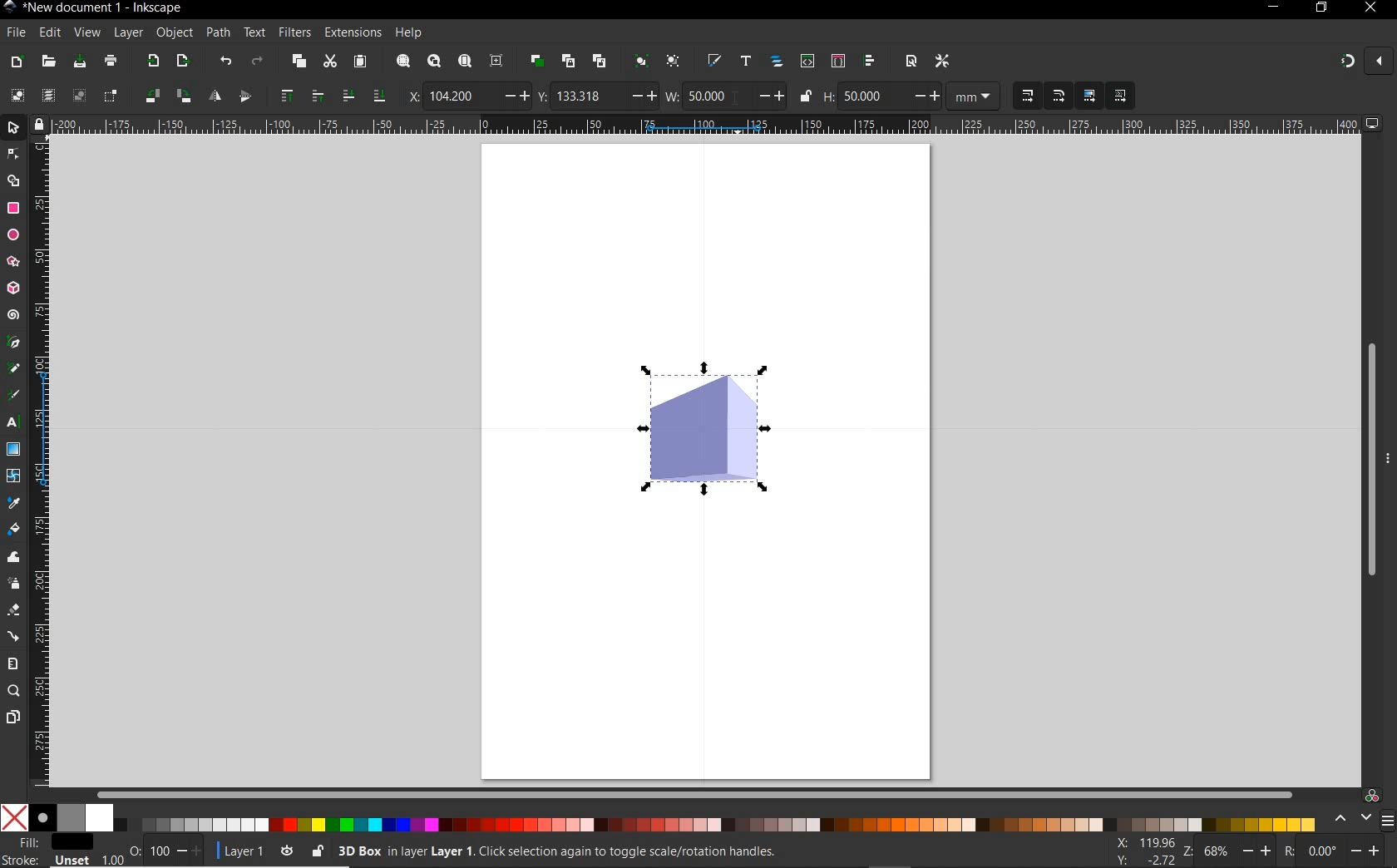  I want to click on lock/unlock, so click(806, 96).